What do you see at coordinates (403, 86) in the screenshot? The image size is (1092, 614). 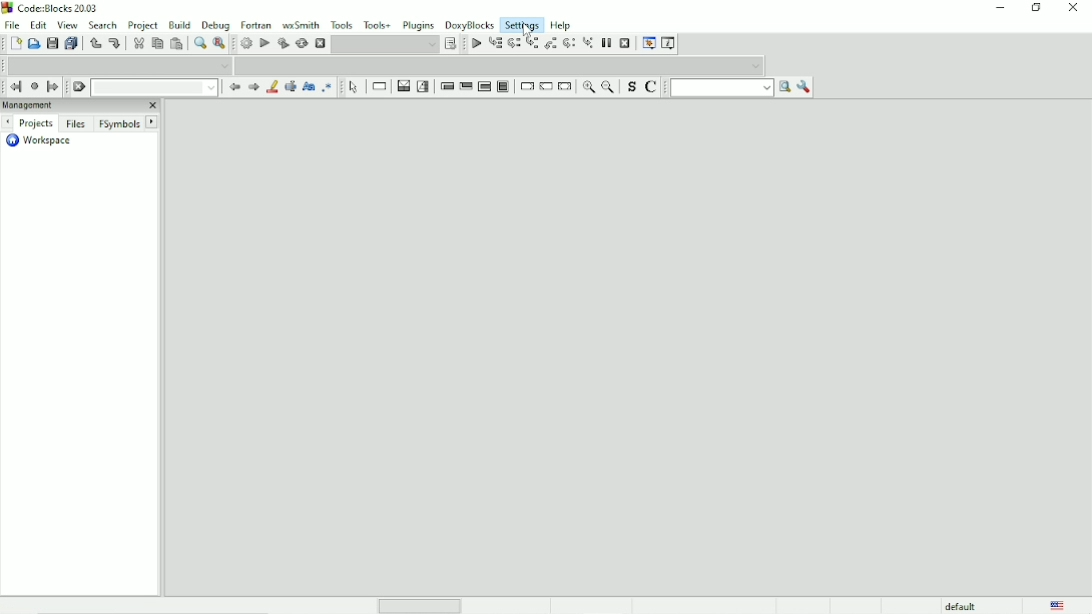 I see `Decision` at bounding box center [403, 86].